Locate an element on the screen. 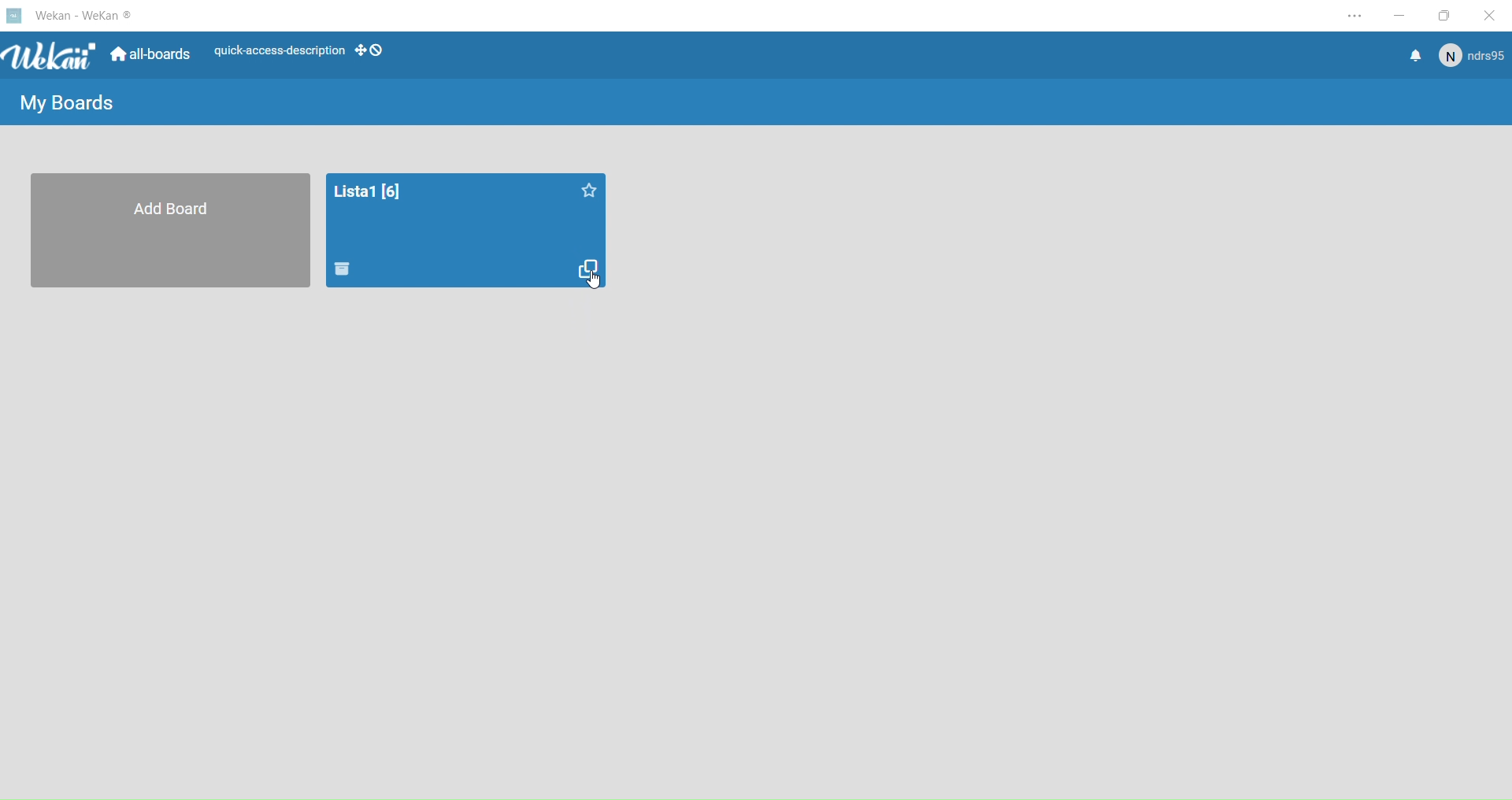 This screenshot has width=1512, height=800. Move Board to Archive is located at coordinates (343, 269).